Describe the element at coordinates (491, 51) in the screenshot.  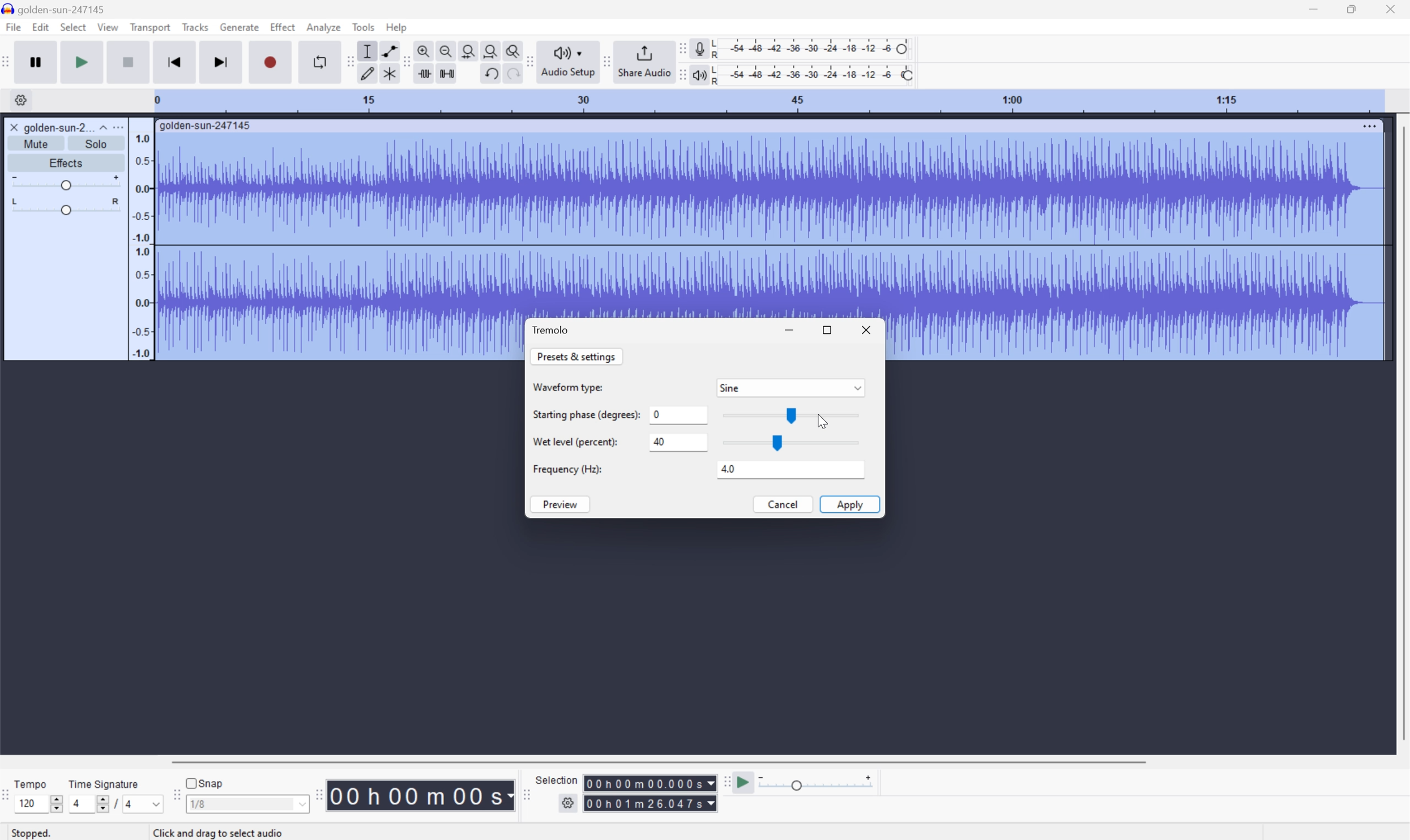
I see `Fit project to width` at that location.